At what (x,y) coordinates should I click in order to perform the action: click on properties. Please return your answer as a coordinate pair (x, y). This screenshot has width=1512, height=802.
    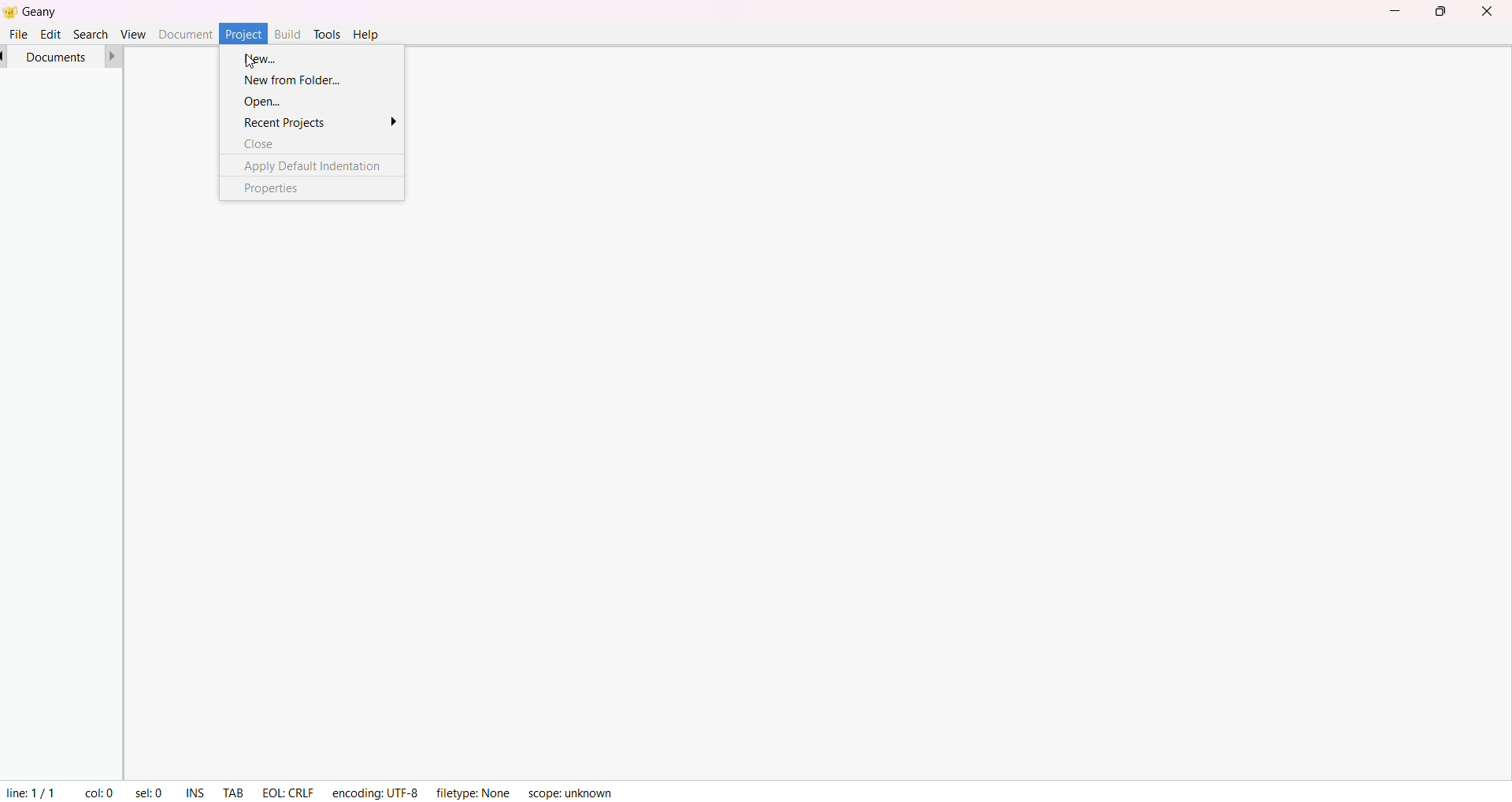
    Looking at the image, I should click on (268, 190).